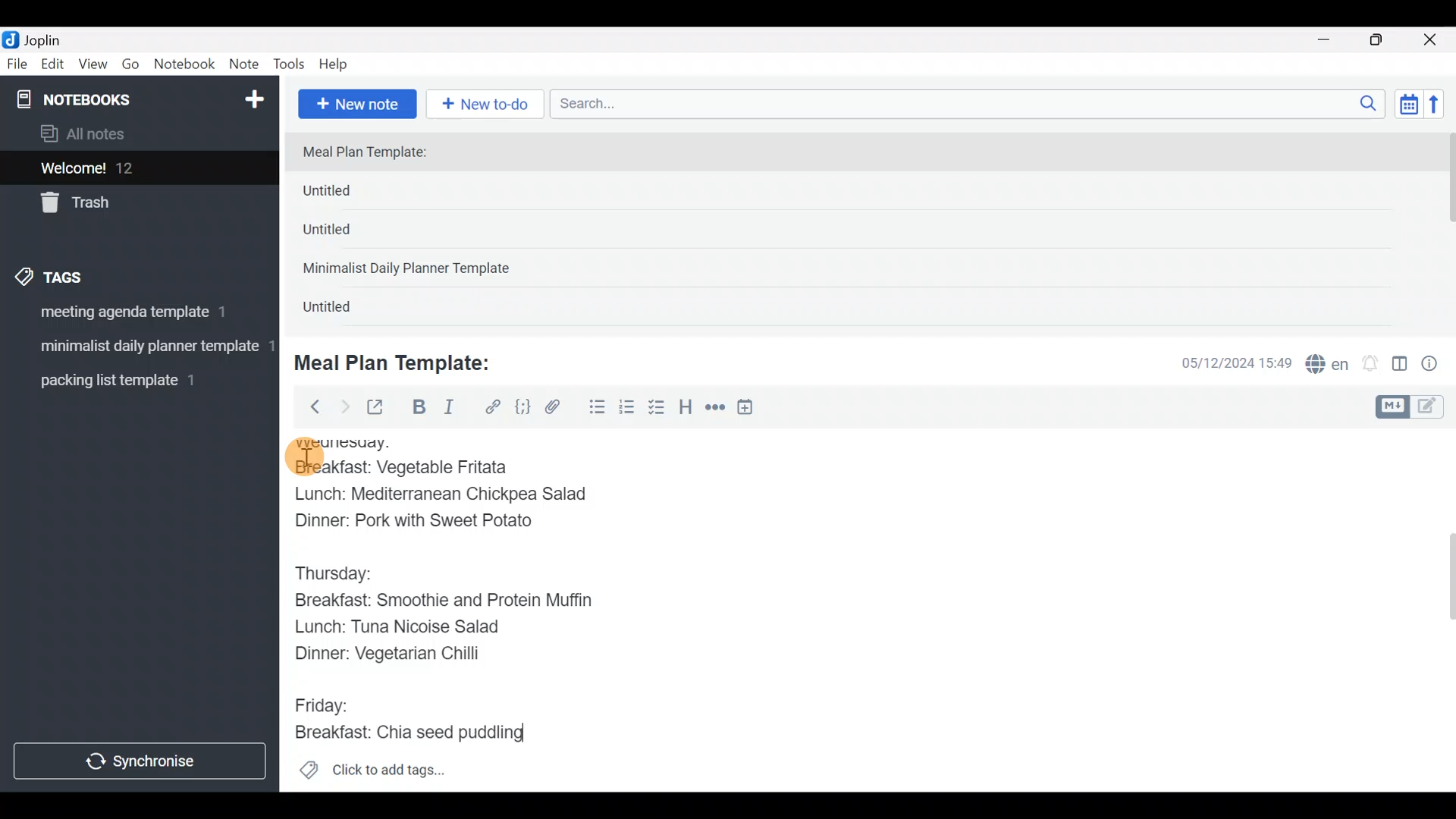 The height and width of the screenshot is (819, 1456). I want to click on Meal Plan Template:, so click(374, 153).